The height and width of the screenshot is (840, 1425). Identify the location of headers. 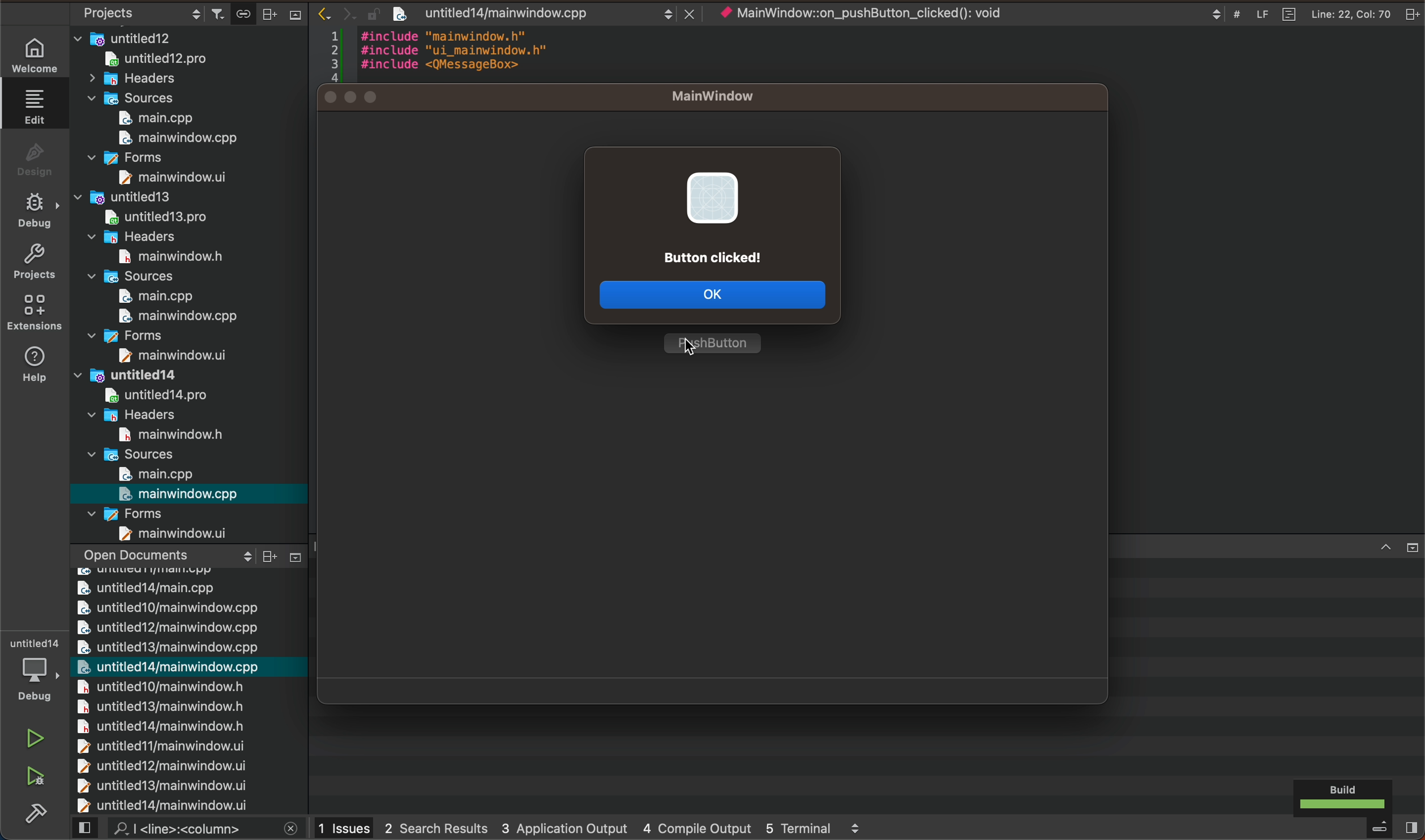
(143, 236).